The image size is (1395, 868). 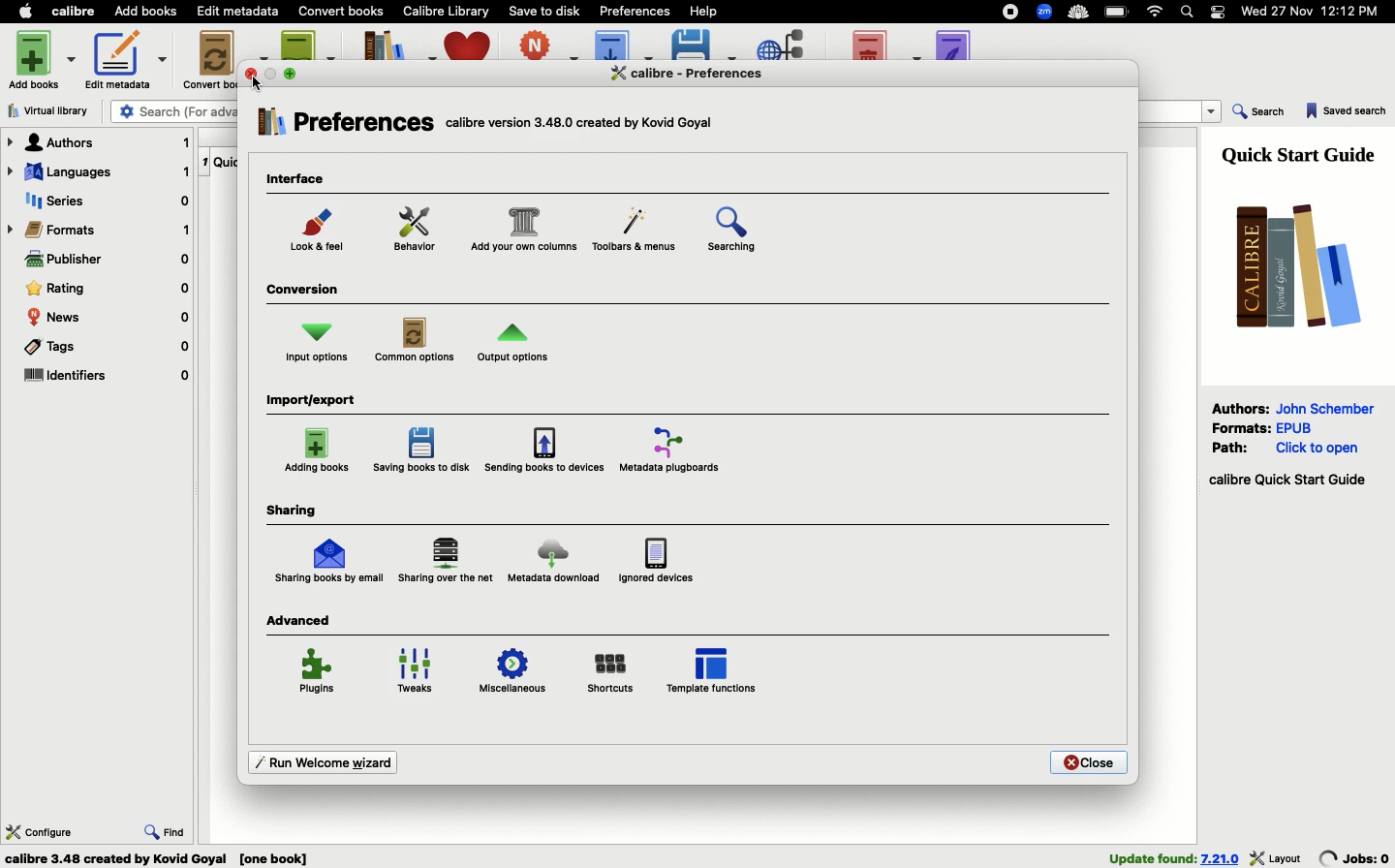 I want to click on Logo, so click(x=1291, y=264).